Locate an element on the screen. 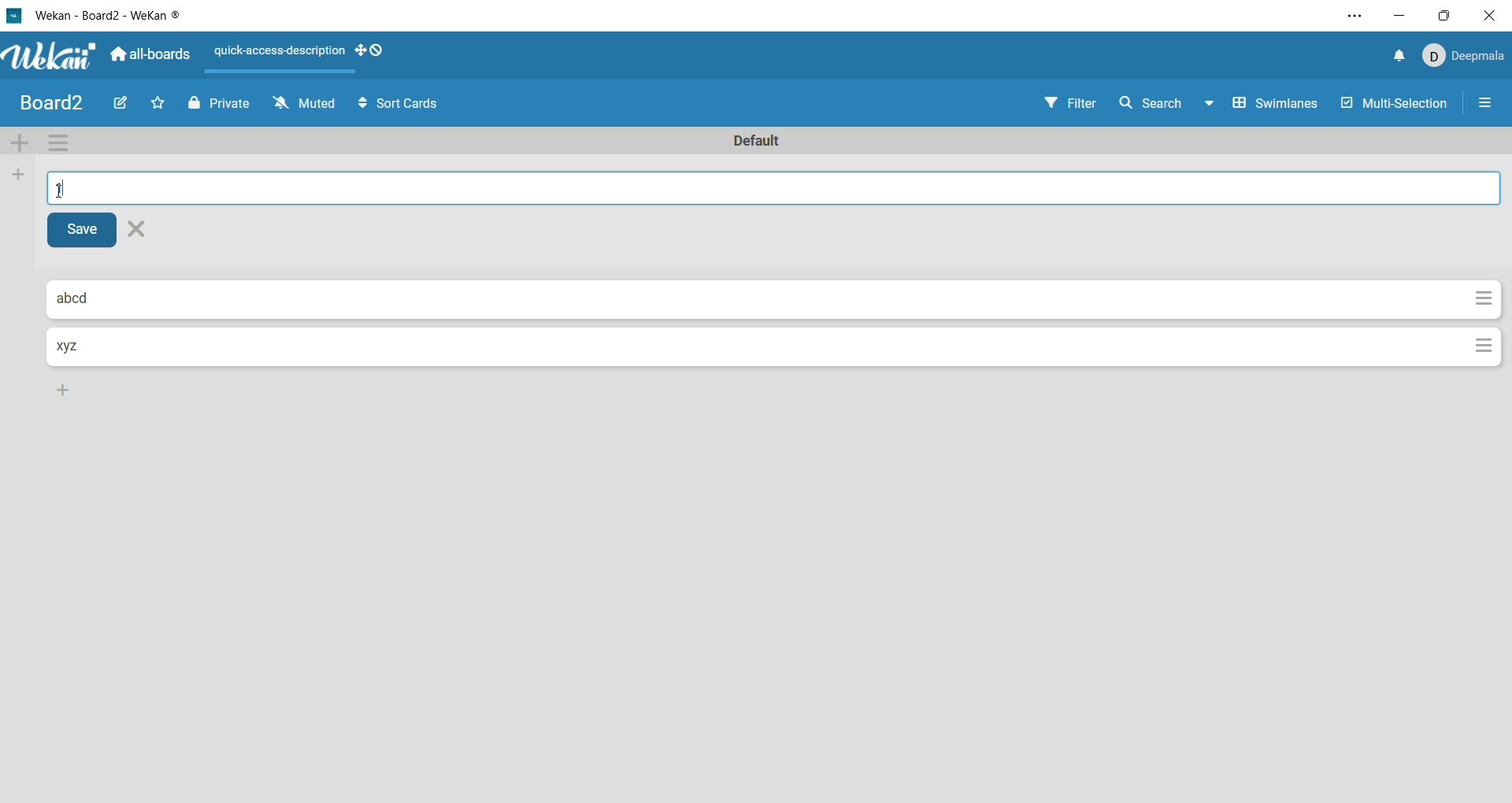 Image resolution: width=1512 pixels, height=803 pixels. add list is located at coordinates (17, 176).